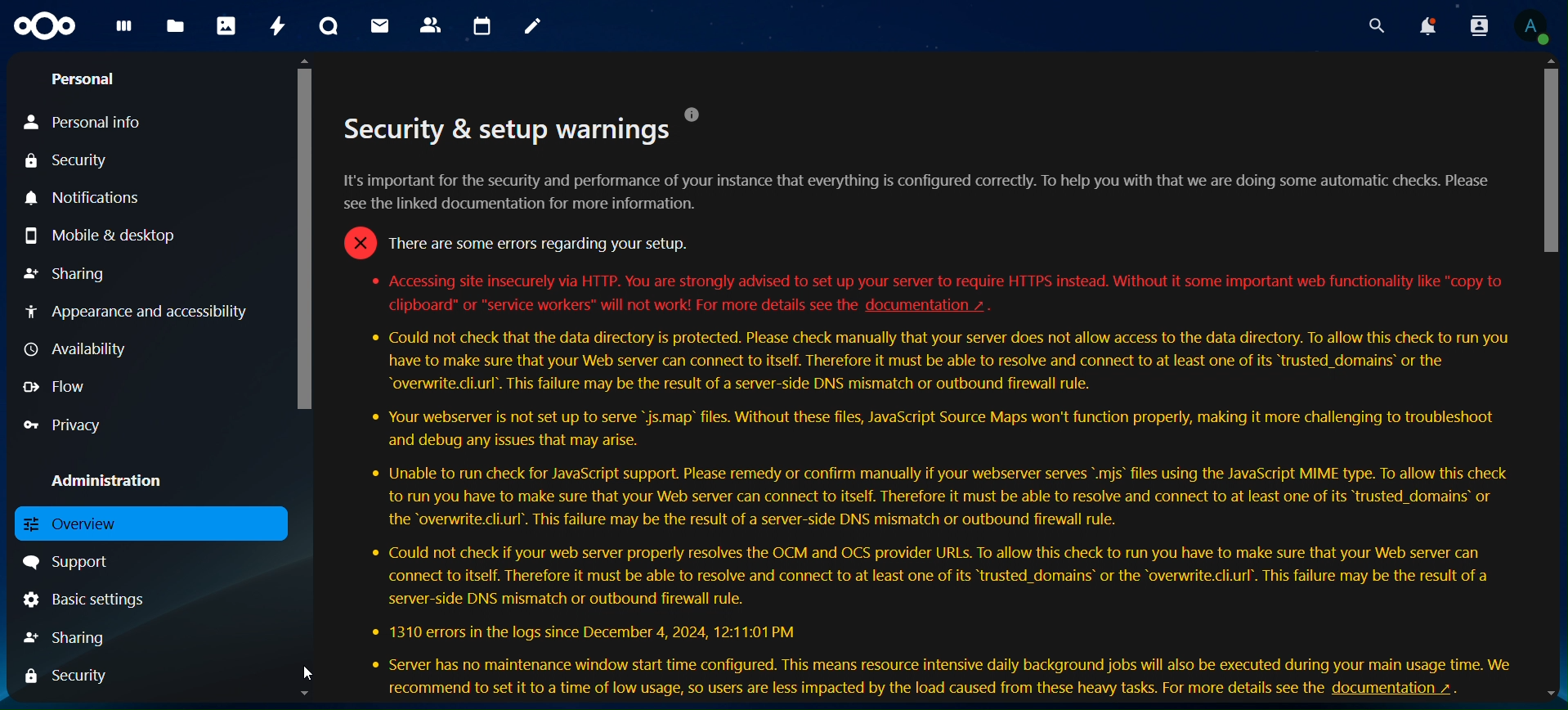 The width and height of the screenshot is (1568, 710). What do you see at coordinates (69, 425) in the screenshot?
I see `privacy` at bounding box center [69, 425].